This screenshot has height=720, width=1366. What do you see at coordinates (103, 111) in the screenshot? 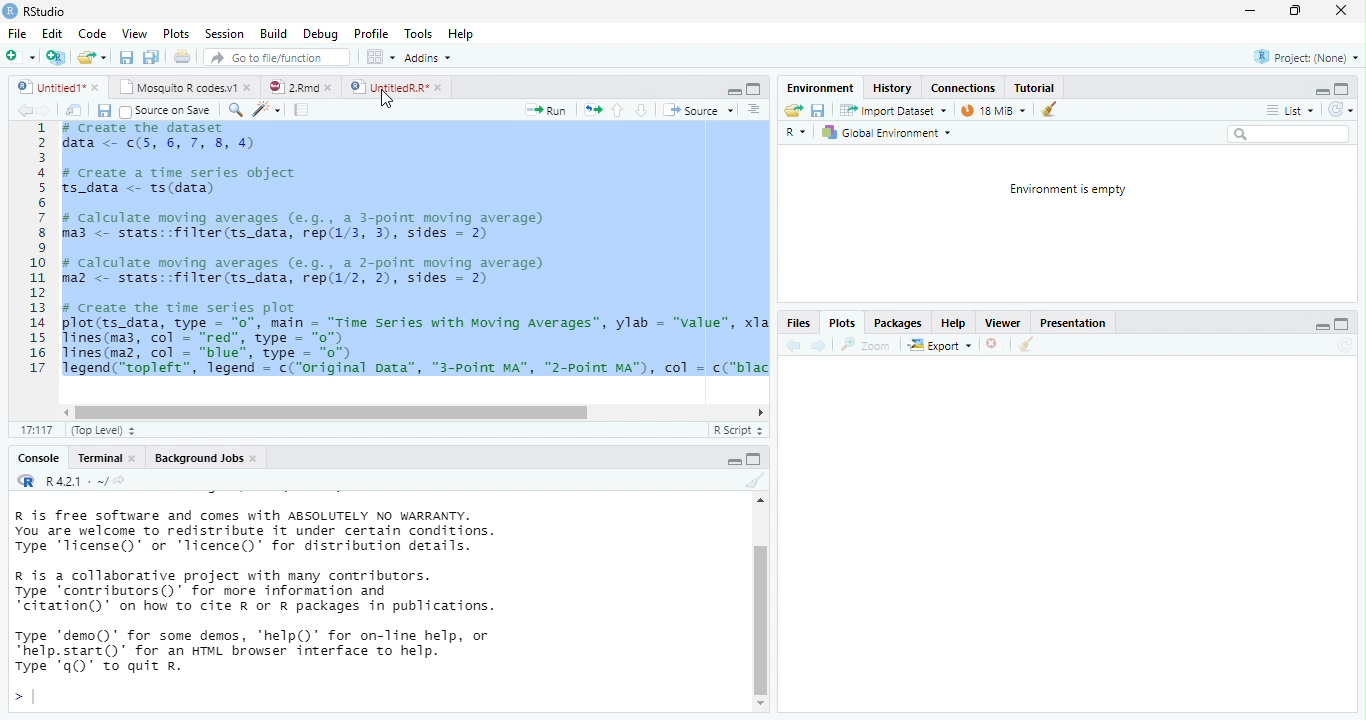
I see `save` at bounding box center [103, 111].